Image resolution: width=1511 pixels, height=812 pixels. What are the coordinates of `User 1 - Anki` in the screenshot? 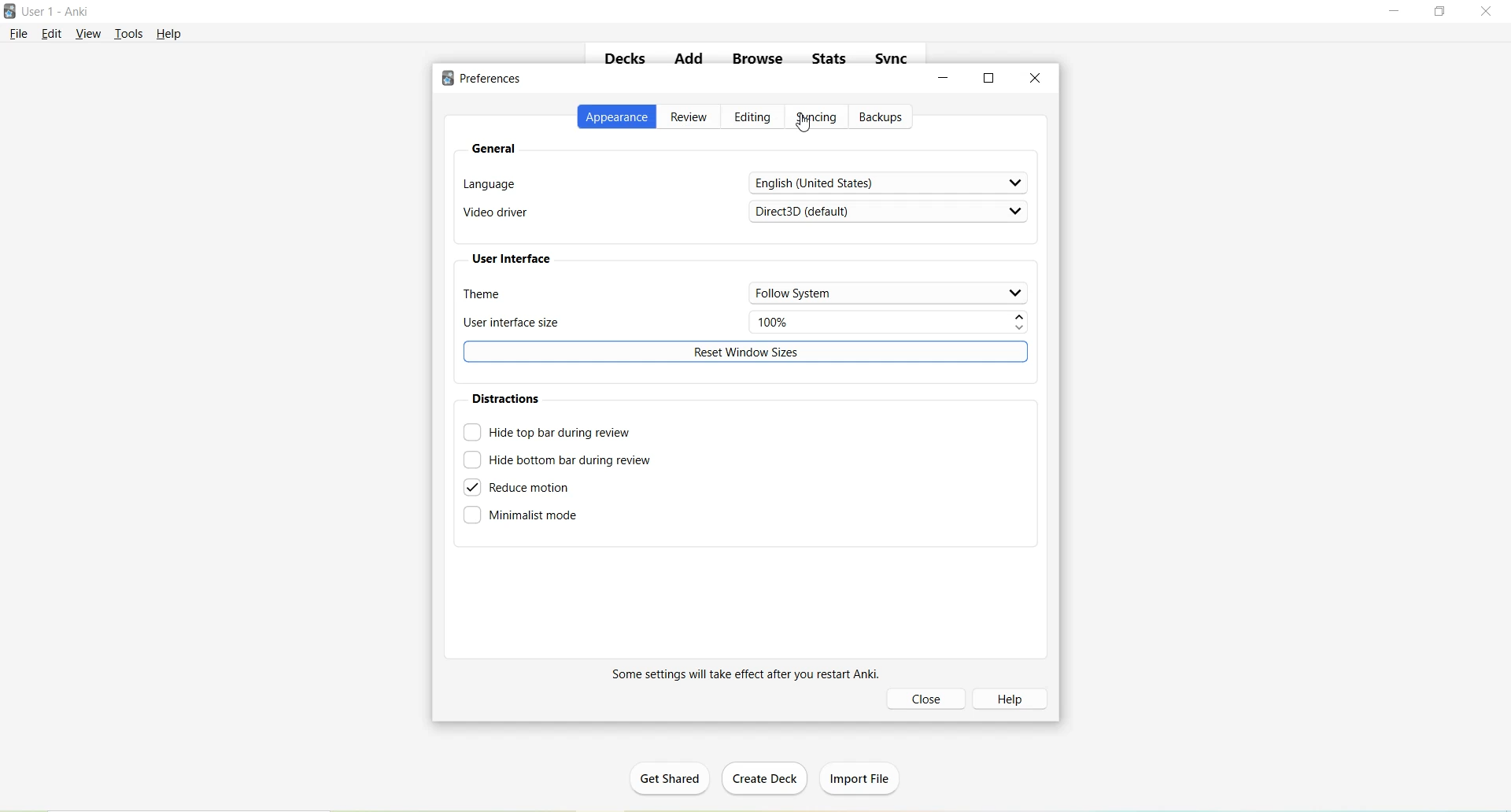 It's located at (58, 13).